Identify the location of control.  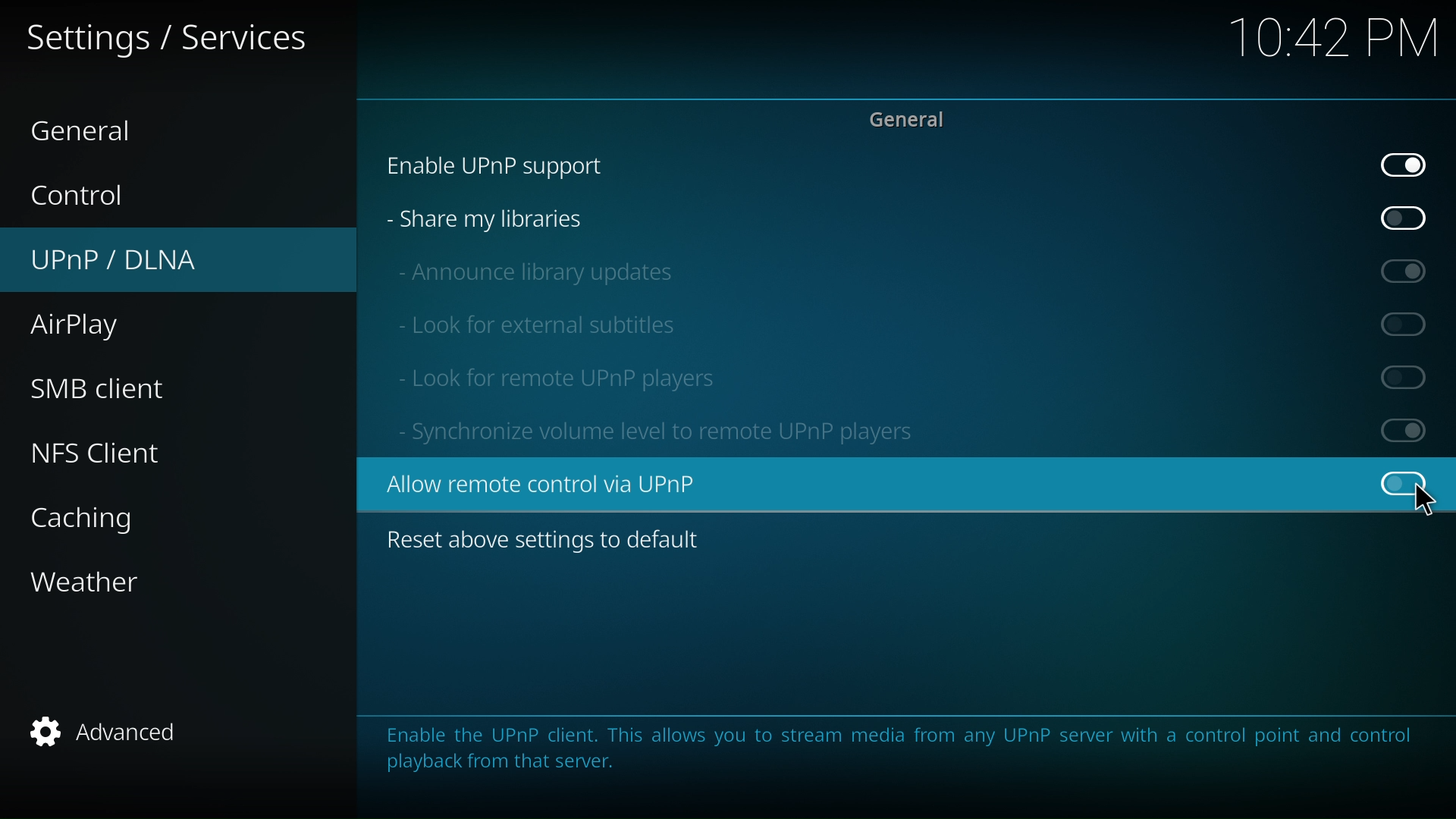
(89, 197).